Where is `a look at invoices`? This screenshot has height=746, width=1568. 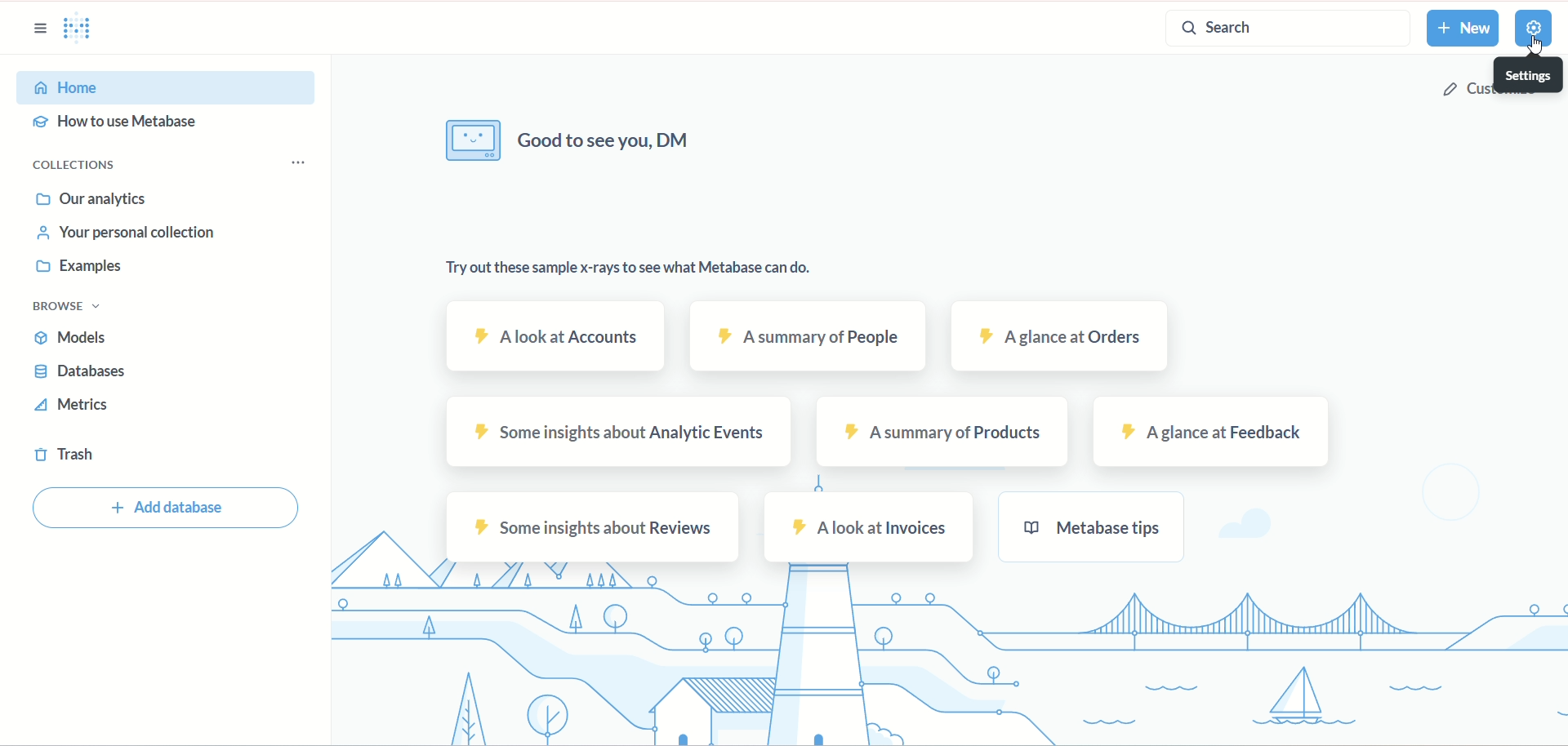 a look at invoices is located at coordinates (870, 529).